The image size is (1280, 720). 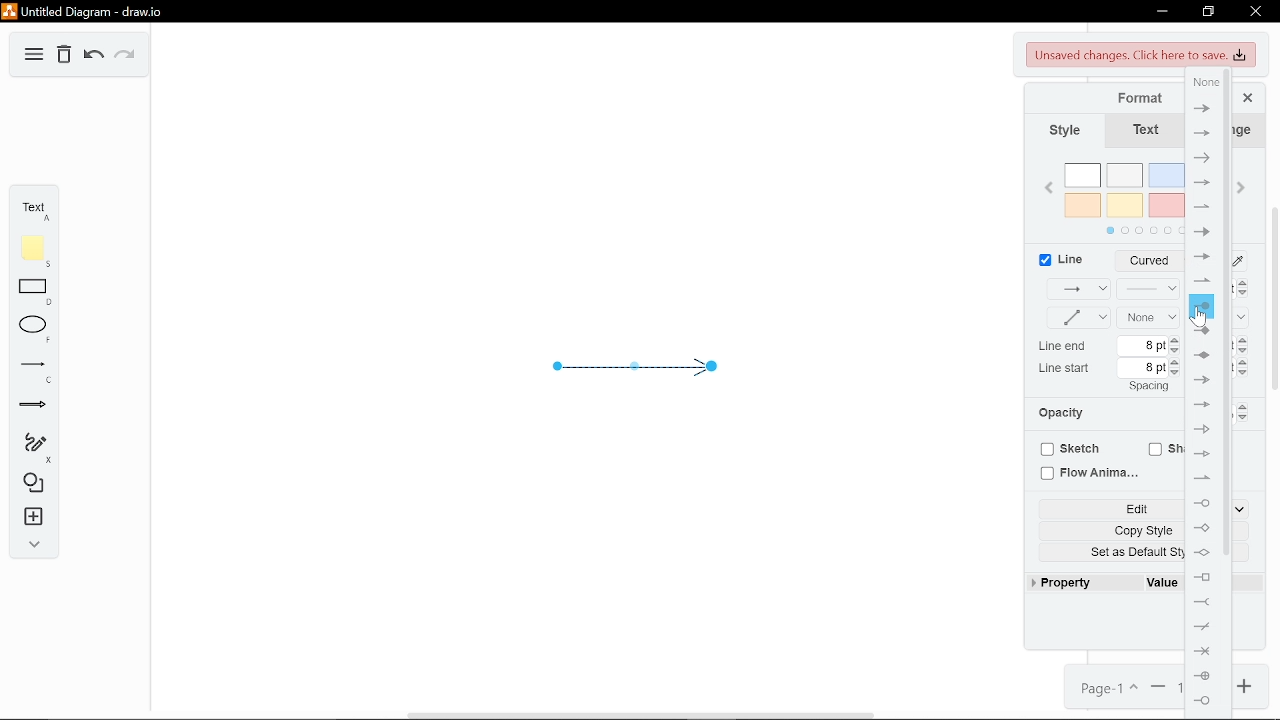 I want to click on Increase LIne end spacing, so click(x=1177, y=339).